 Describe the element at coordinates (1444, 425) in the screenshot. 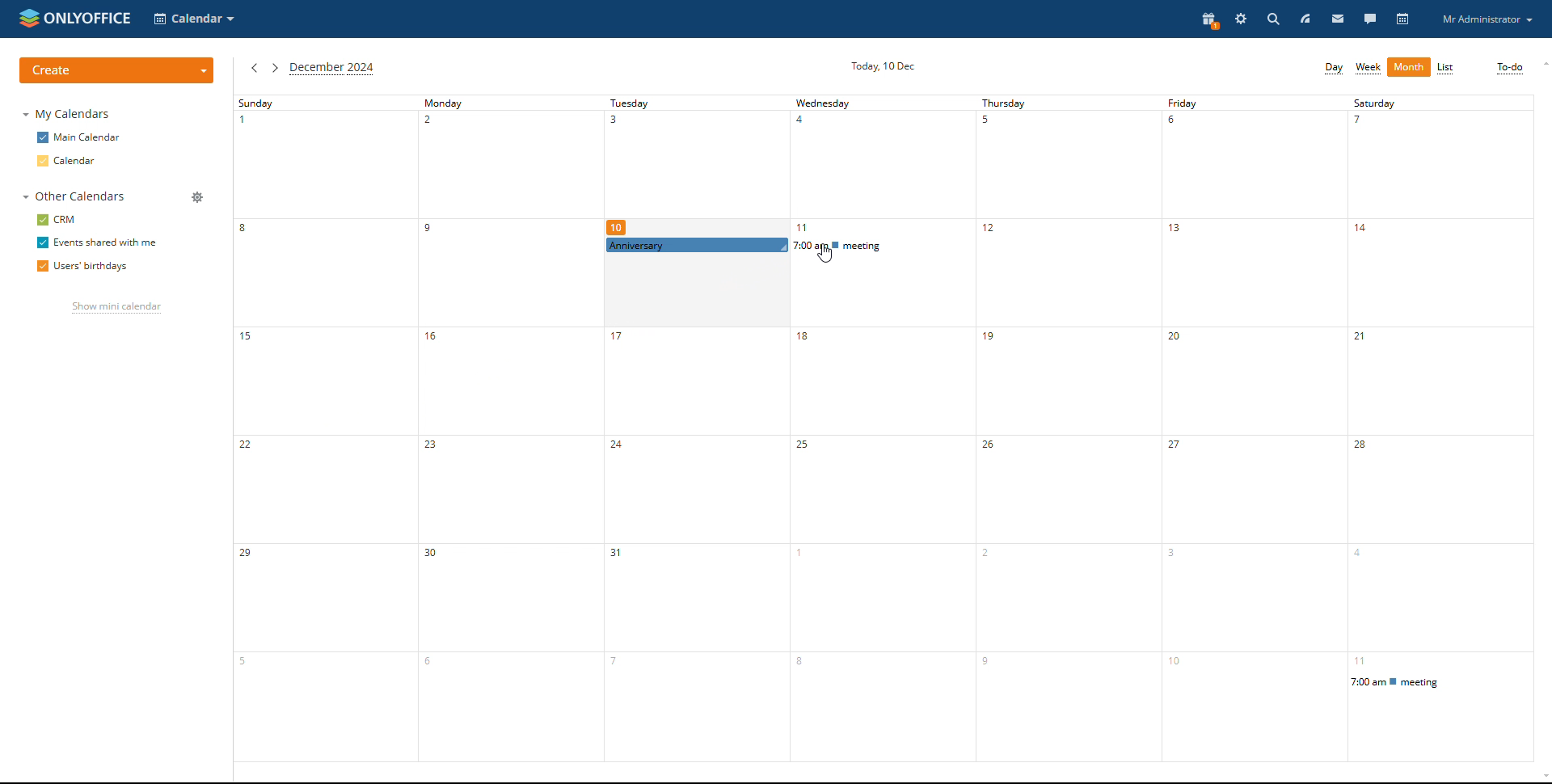

I see `saturday` at that location.